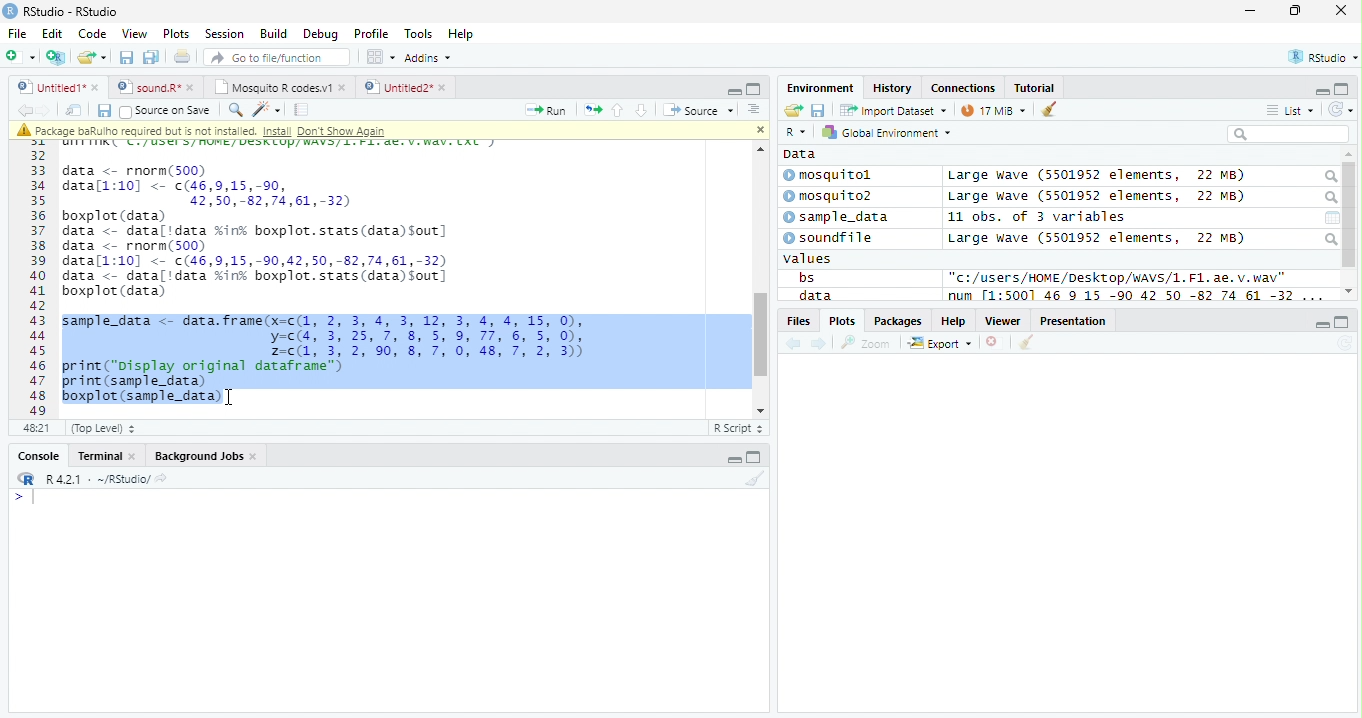 The width and height of the screenshot is (1362, 718). I want to click on Go backward, so click(794, 345).